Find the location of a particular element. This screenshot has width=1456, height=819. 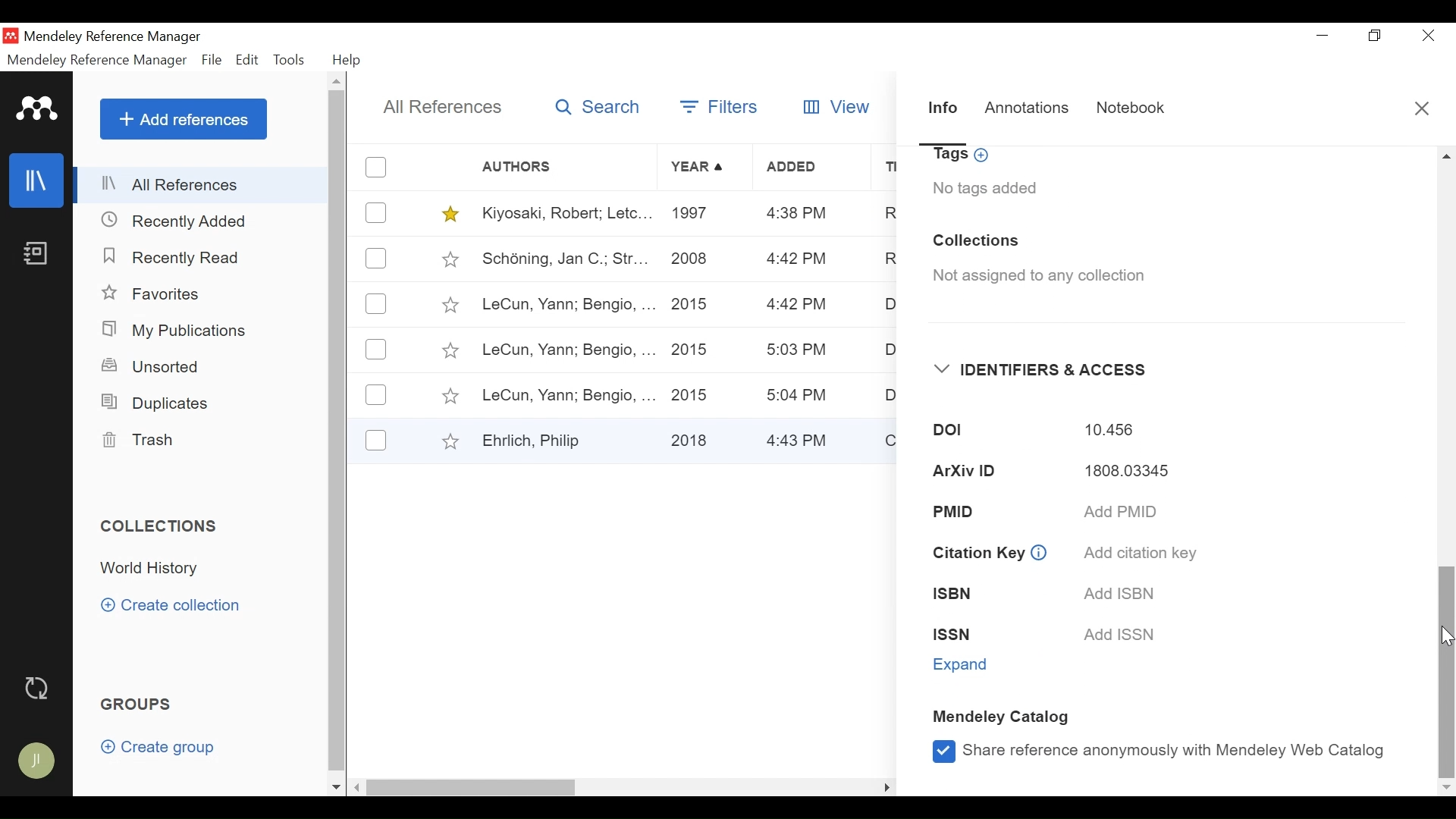

(un)select favorite is located at coordinates (449, 305).